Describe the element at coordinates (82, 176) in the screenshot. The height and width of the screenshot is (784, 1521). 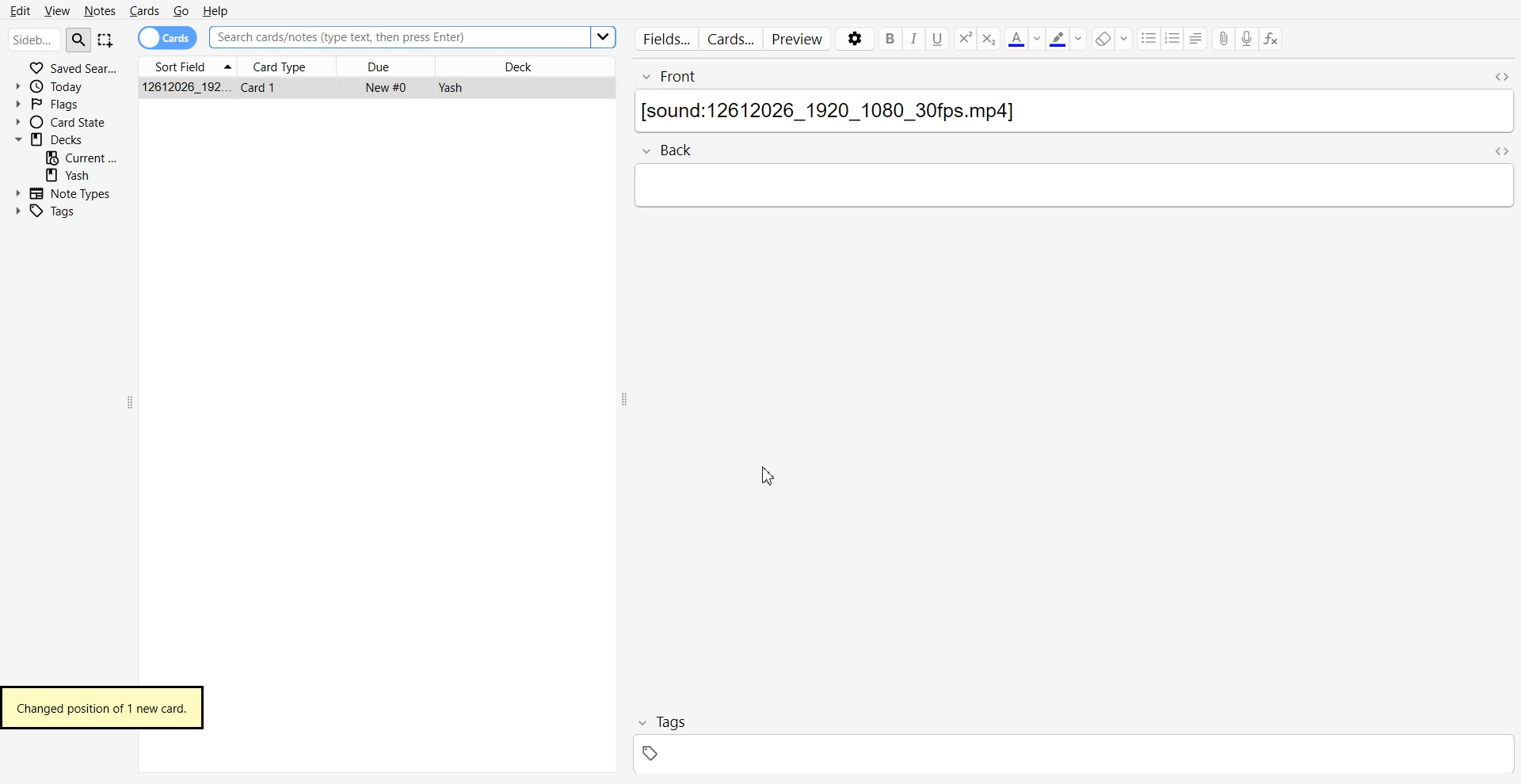
I see `Yash` at that location.